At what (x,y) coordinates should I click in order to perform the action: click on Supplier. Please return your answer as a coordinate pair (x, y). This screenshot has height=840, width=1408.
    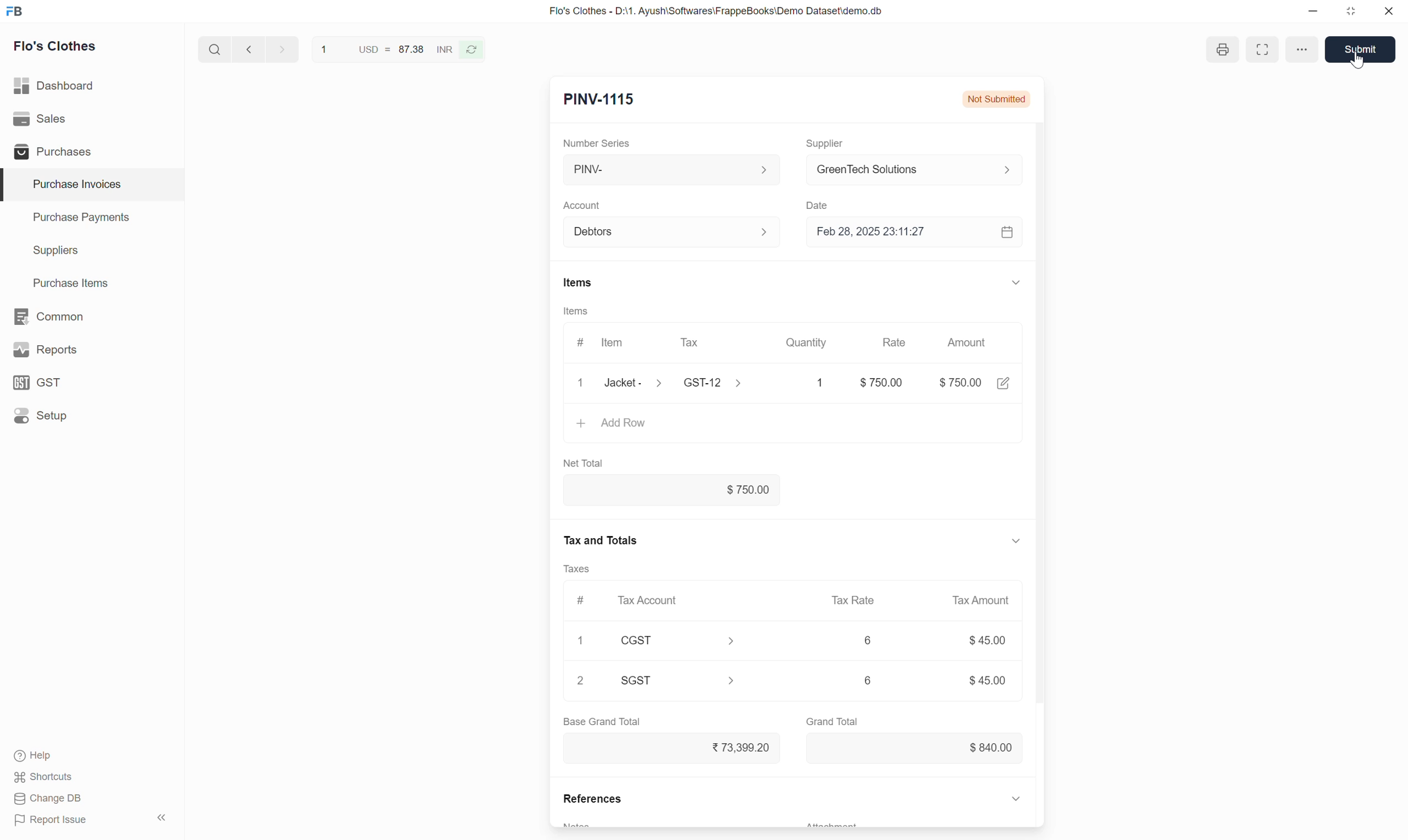
    Looking at the image, I should click on (827, 144).